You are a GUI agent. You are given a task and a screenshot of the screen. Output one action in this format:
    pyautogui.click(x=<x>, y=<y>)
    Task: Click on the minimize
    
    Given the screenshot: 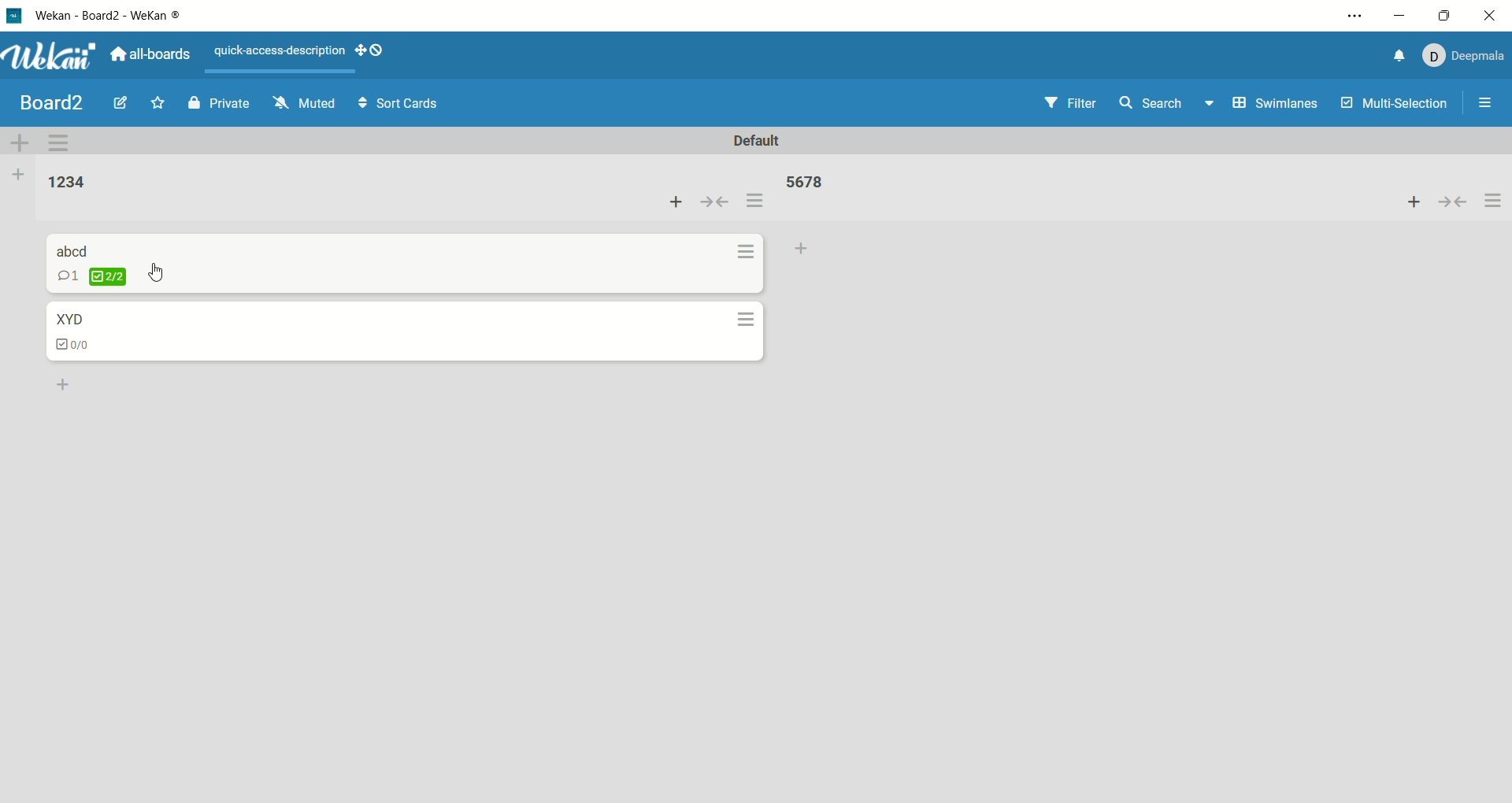 What is the action you would take?
    pyautogui.click(x=1401, y=18)
    